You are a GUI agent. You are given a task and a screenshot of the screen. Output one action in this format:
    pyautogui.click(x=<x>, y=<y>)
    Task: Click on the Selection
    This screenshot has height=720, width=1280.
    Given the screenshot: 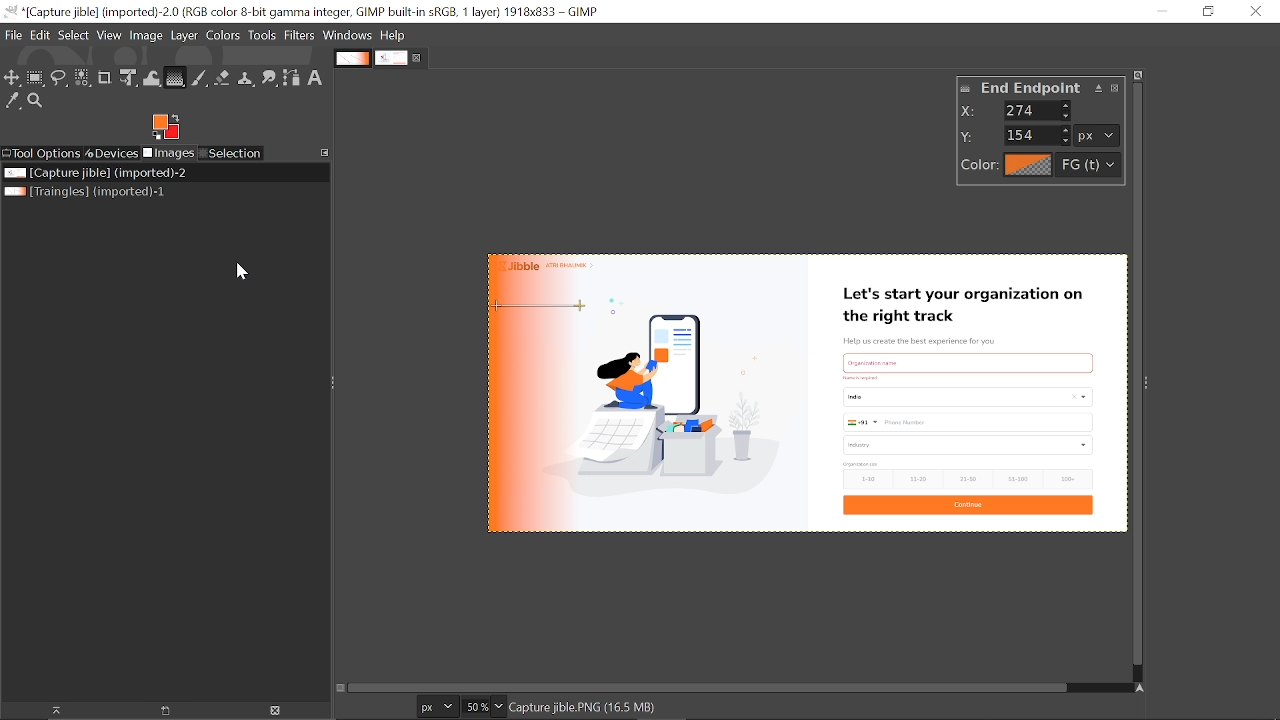 What is the action you would take?
    pyautogui.click(x=232, y=153)
    